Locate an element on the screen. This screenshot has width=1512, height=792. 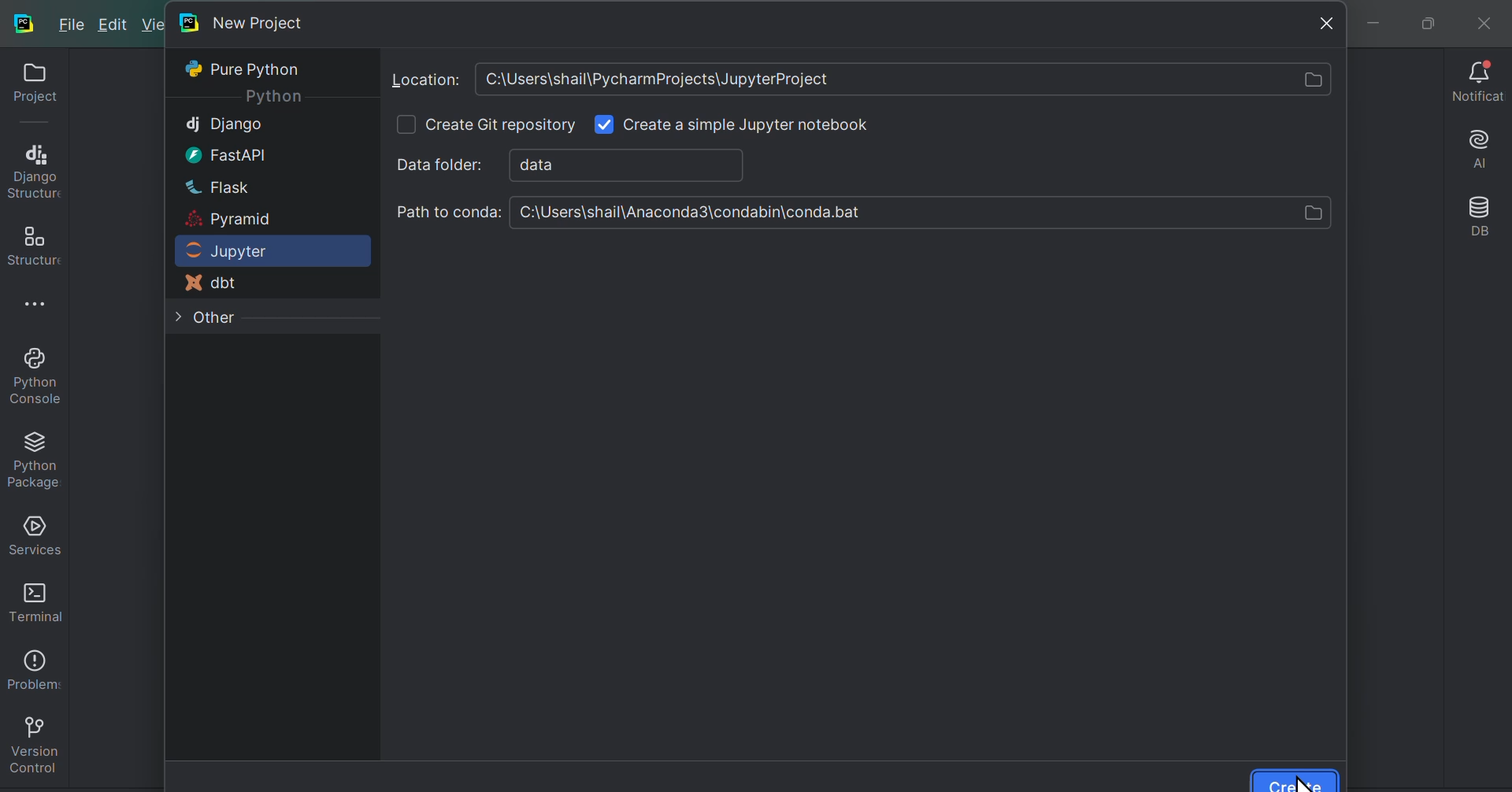
Django is located at coordinates (224, 124).